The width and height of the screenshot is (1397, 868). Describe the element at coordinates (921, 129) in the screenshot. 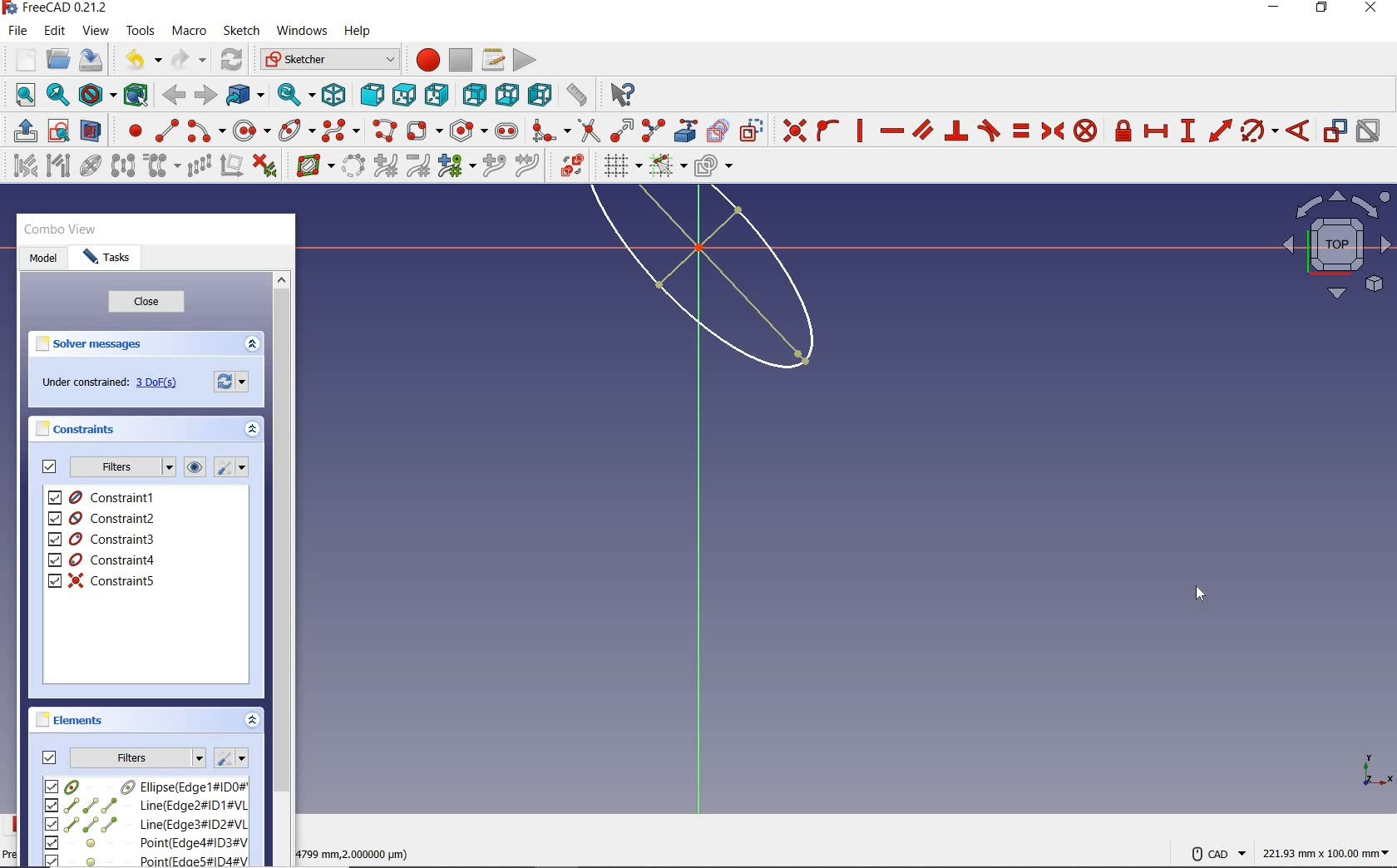

I see `constrain parallel` at that location.